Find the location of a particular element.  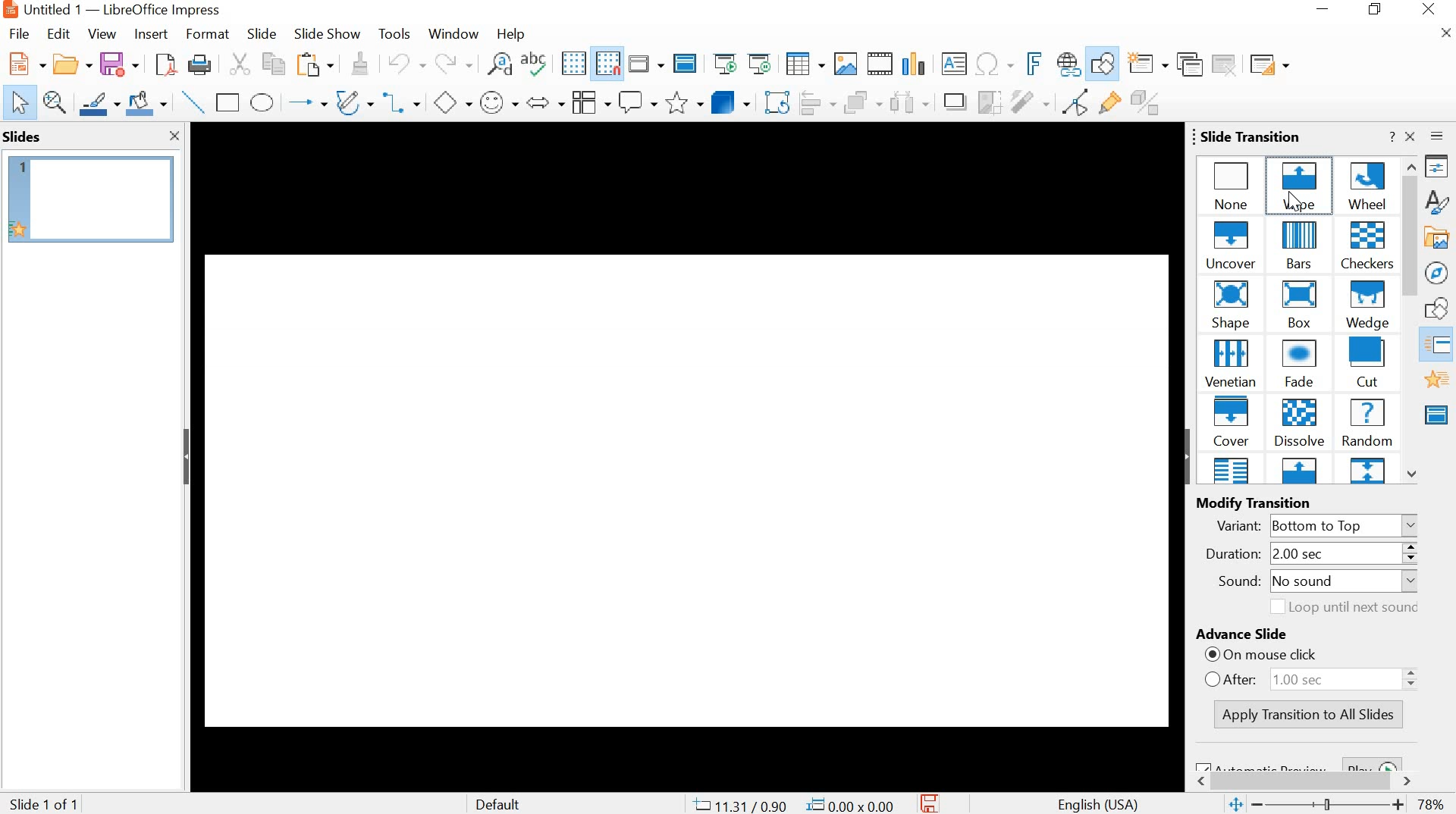

UNCOVER is located at coordinates (1234, 246).